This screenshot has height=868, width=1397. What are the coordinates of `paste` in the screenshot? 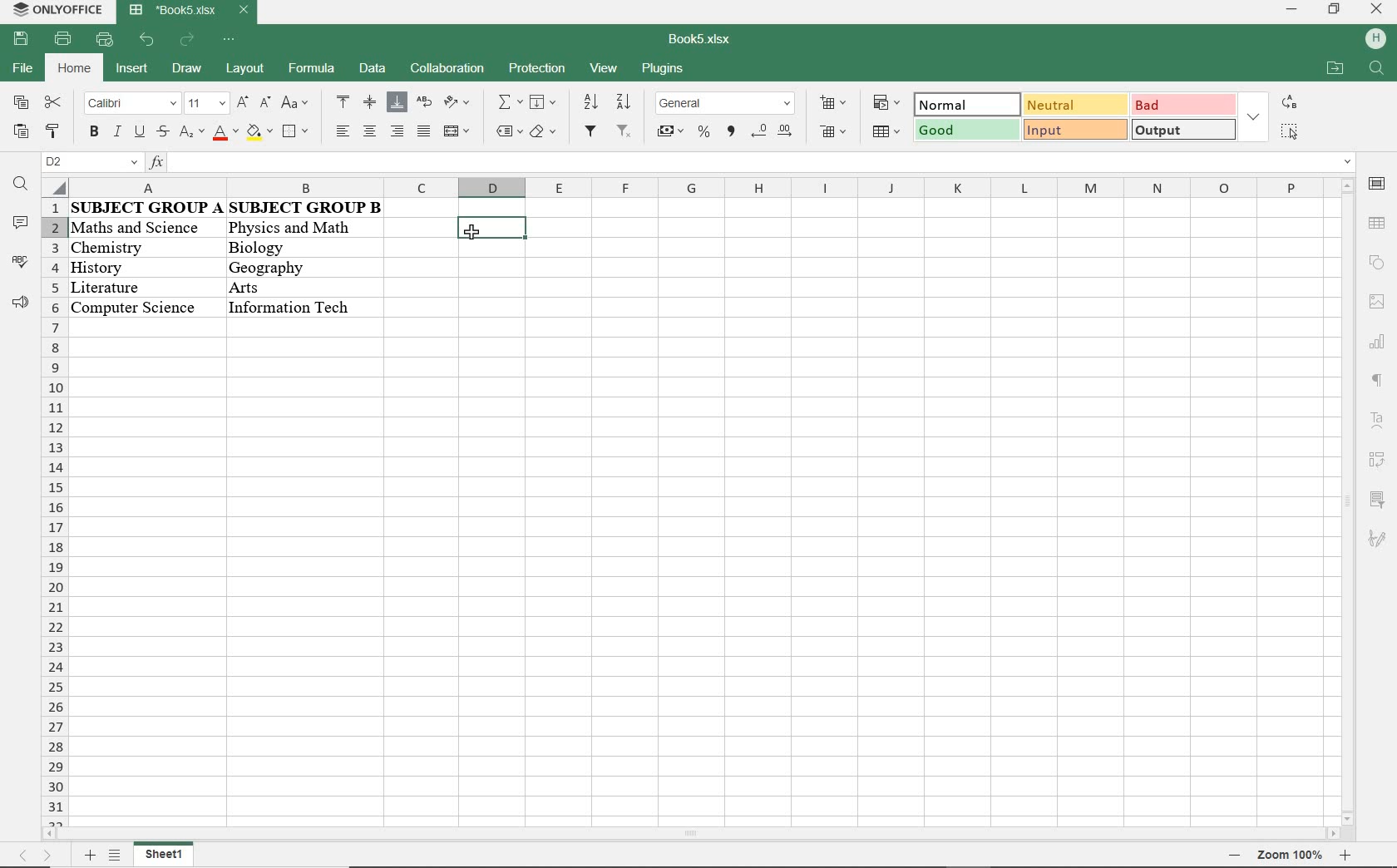 It's located at (19, 132).